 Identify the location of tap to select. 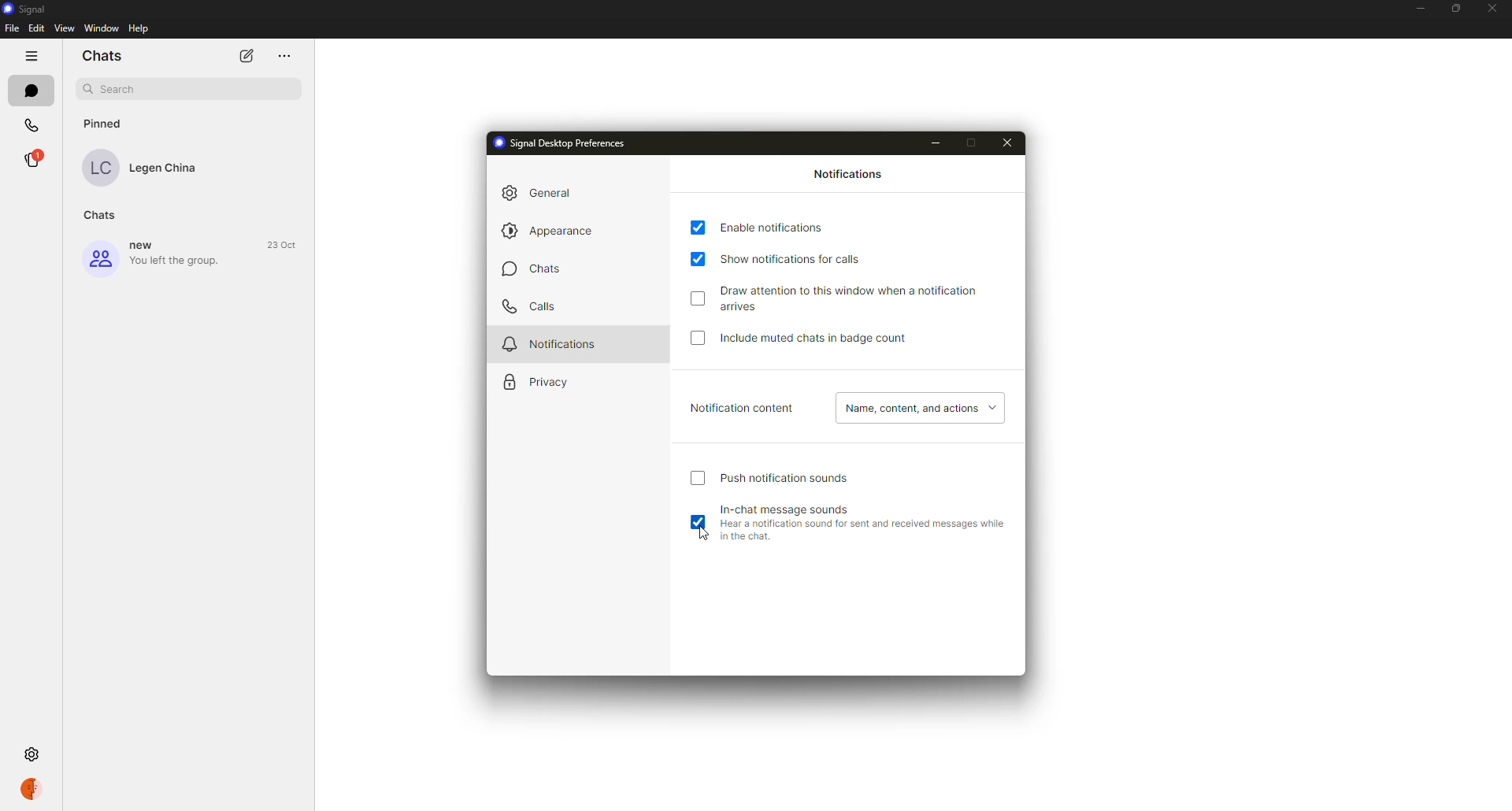
(697, 228).